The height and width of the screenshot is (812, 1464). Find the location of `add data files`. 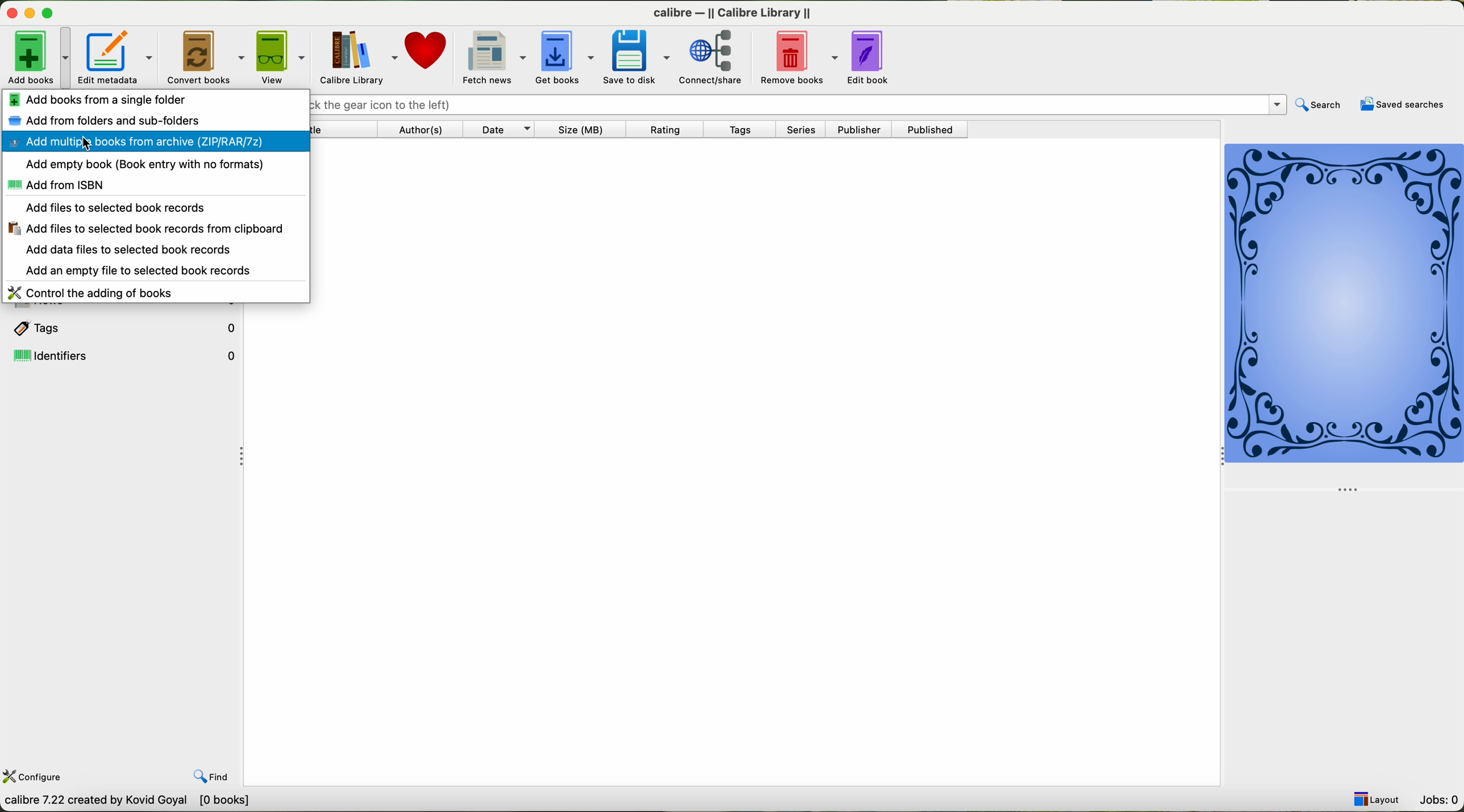

add data files is located at coordinates (132, 250).